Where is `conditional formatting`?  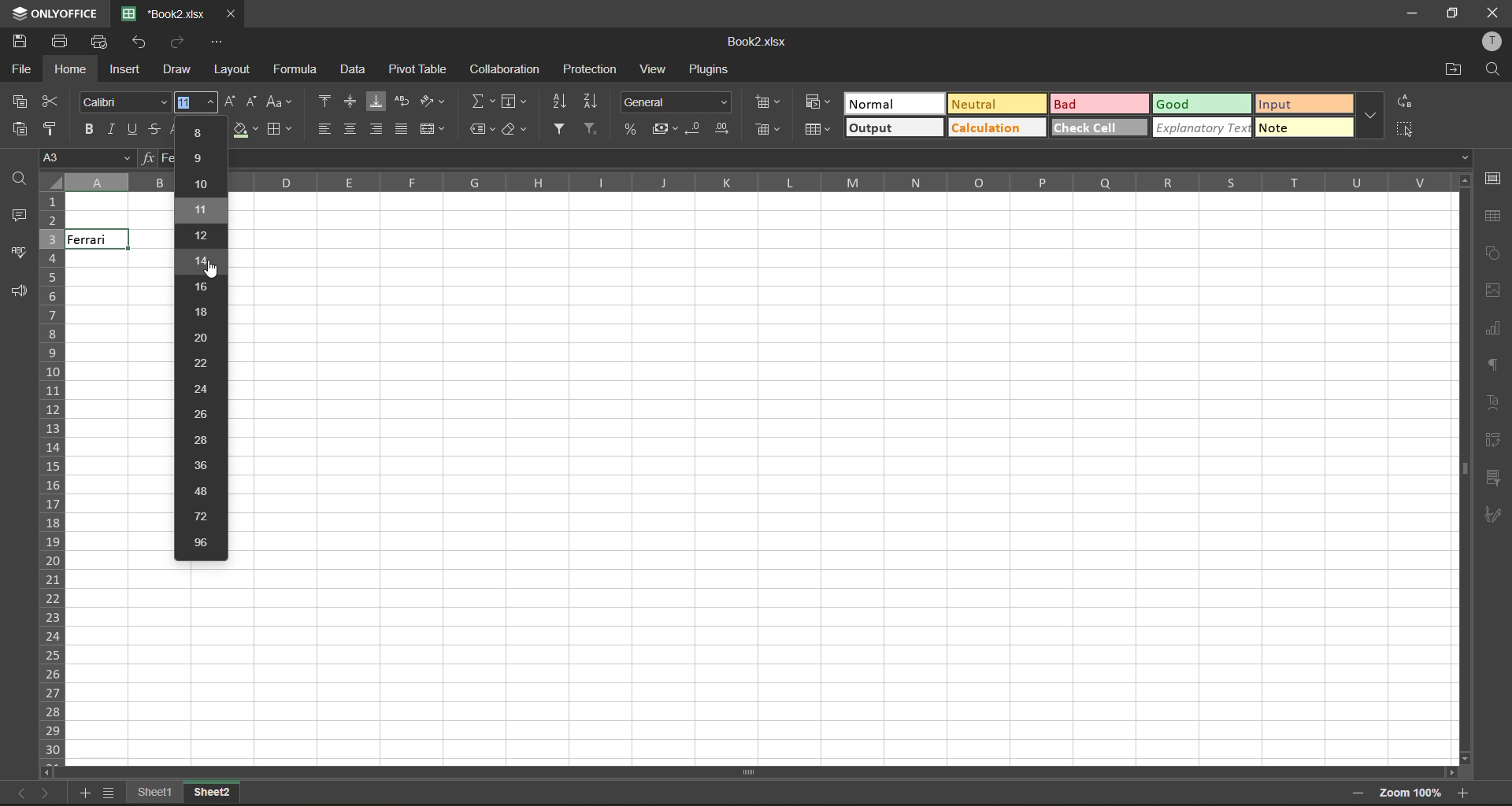
conditional formatting is located at coordinates (819, 103).